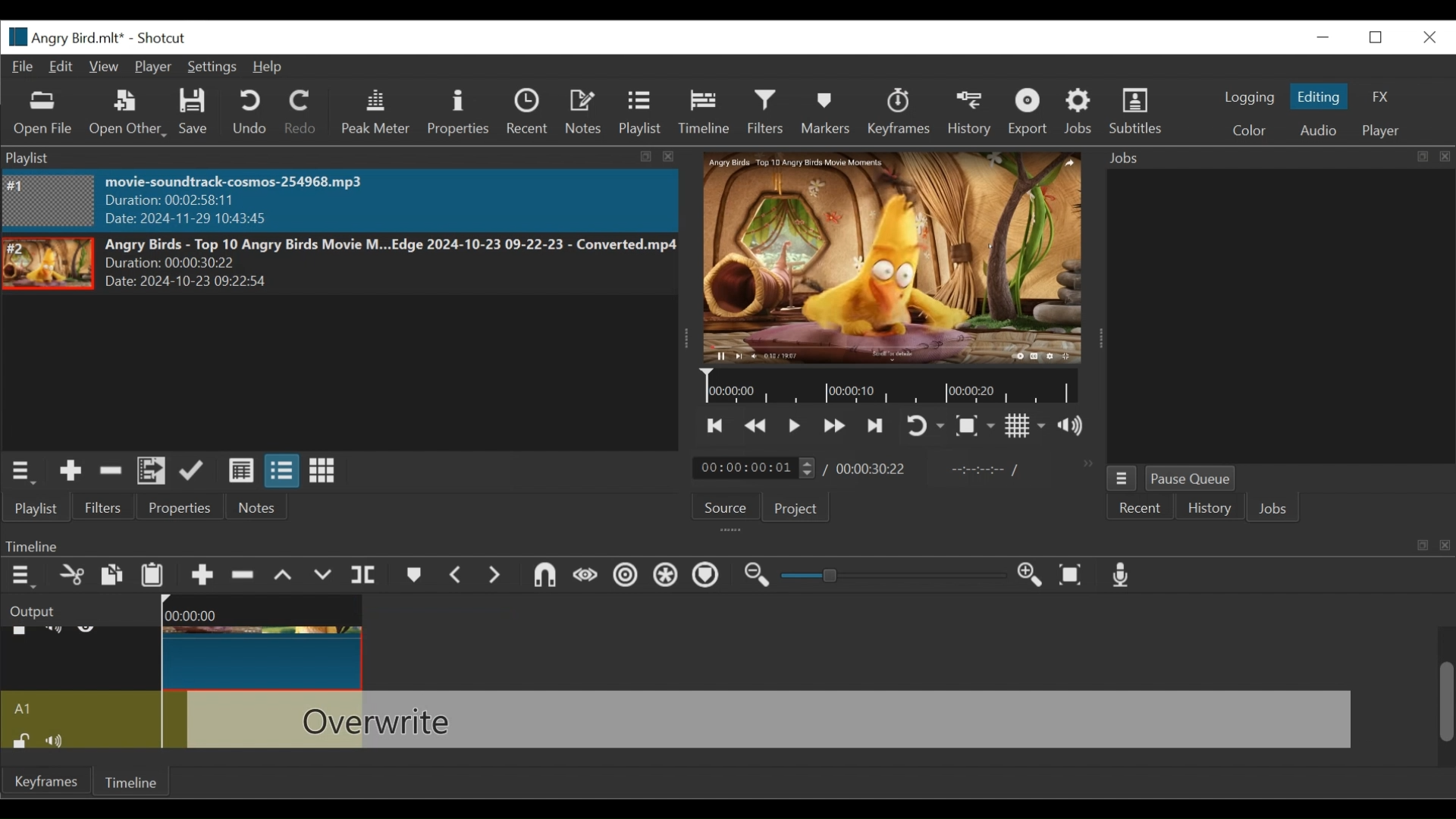  What do you see at coordinates (1122, 478) in the screenshot?
I see `Jobs Menu` at bounding box center [1122, 478].